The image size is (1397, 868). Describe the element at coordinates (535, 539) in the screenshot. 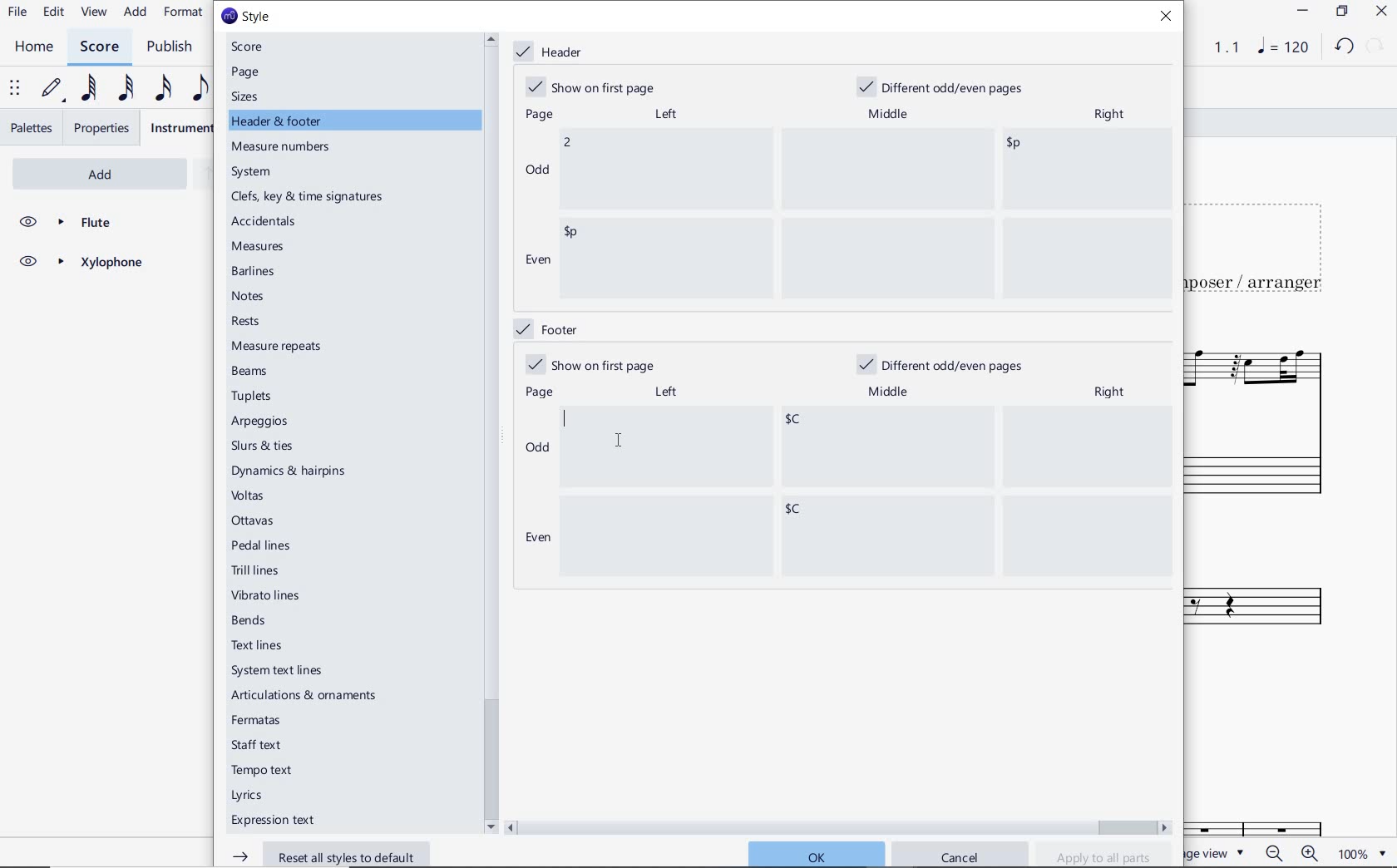

I see `even` at that location.